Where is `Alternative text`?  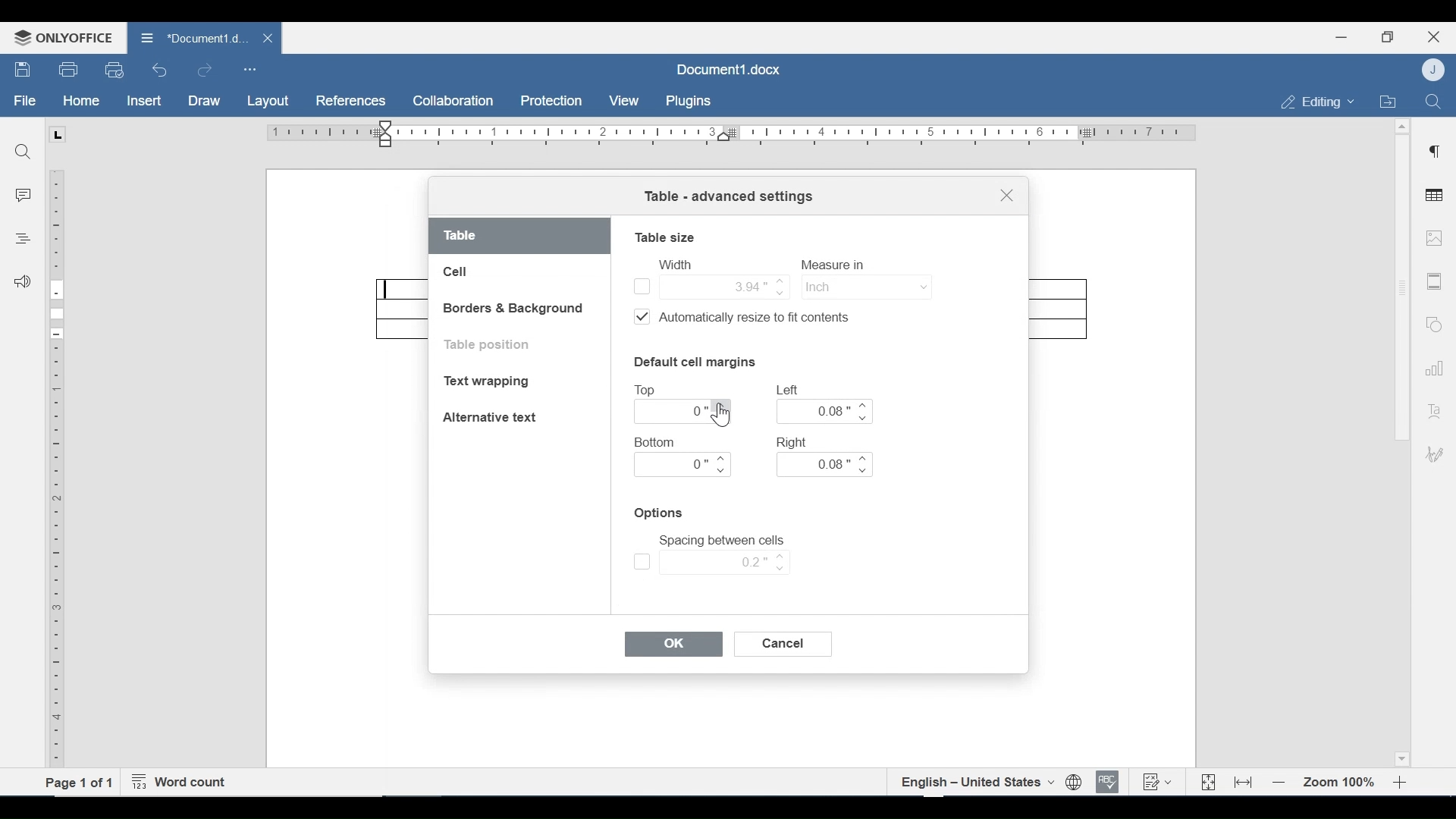 Alternative text is located at coordinates (490, 417).